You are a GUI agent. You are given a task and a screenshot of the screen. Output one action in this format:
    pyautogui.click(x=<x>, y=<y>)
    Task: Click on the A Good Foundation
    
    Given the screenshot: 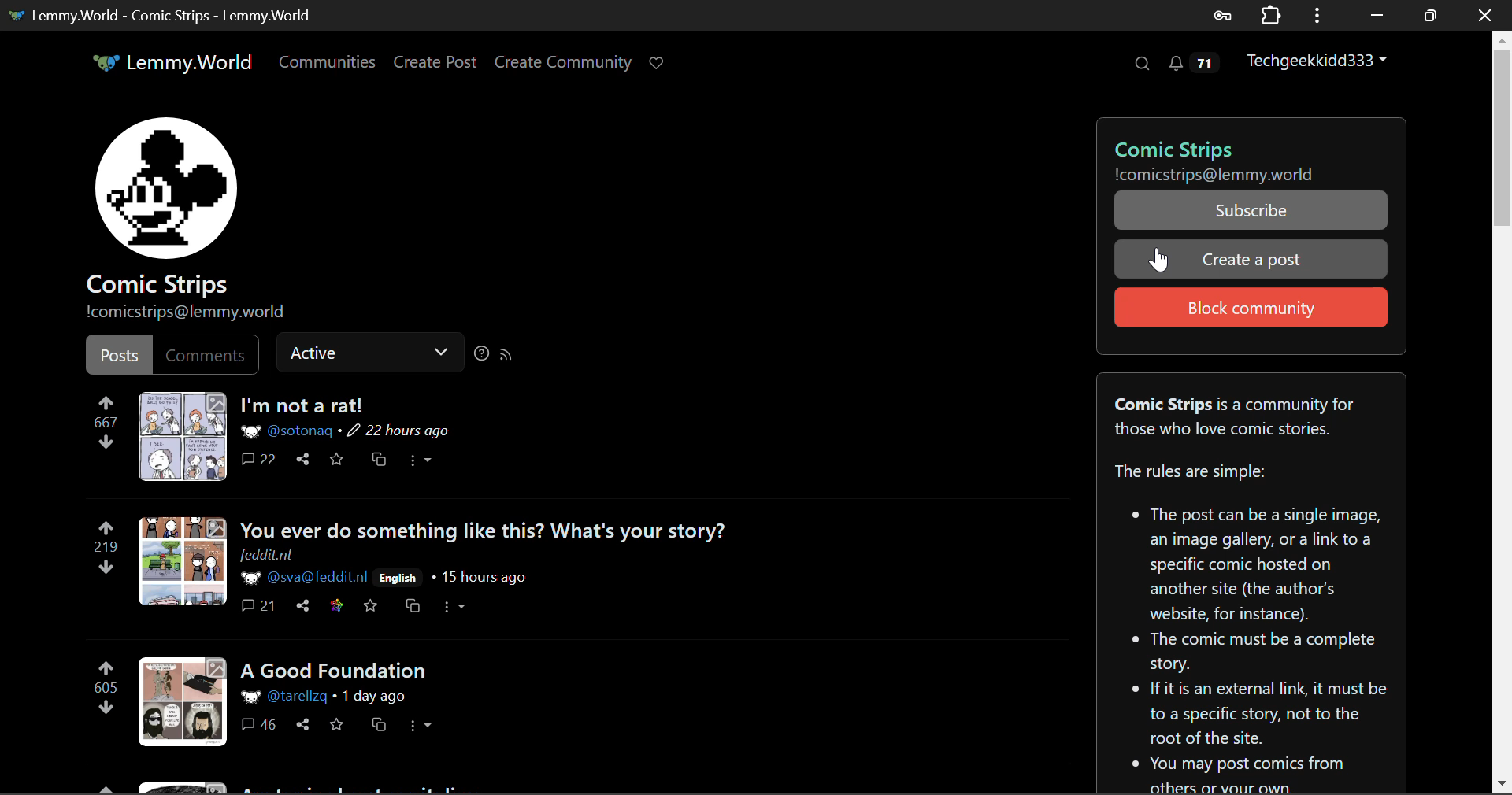 What is the action you would take?
    pyautogui.click(x=335, y=670)
    